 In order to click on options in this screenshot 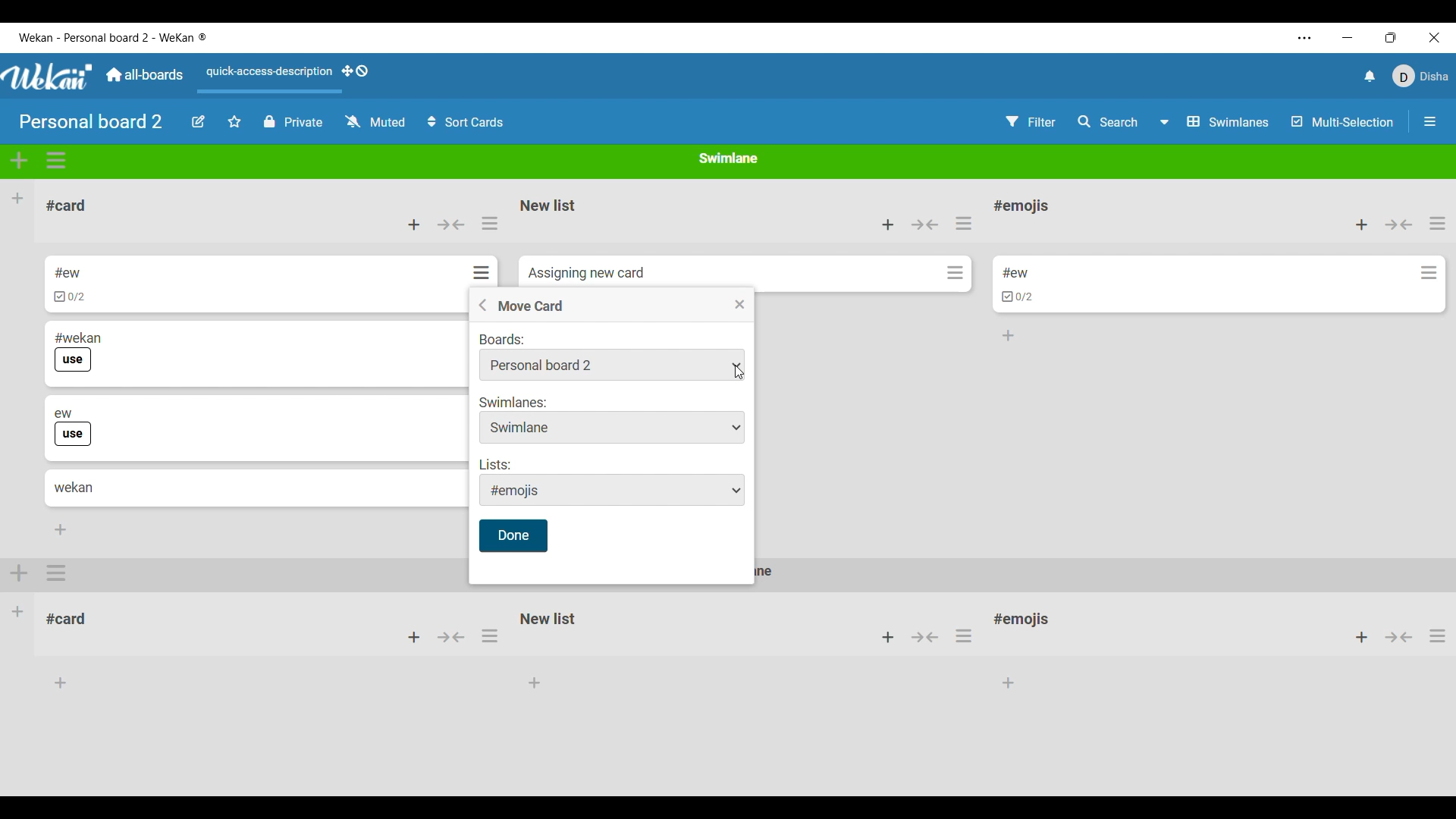, I will do `click(491, 640)`.